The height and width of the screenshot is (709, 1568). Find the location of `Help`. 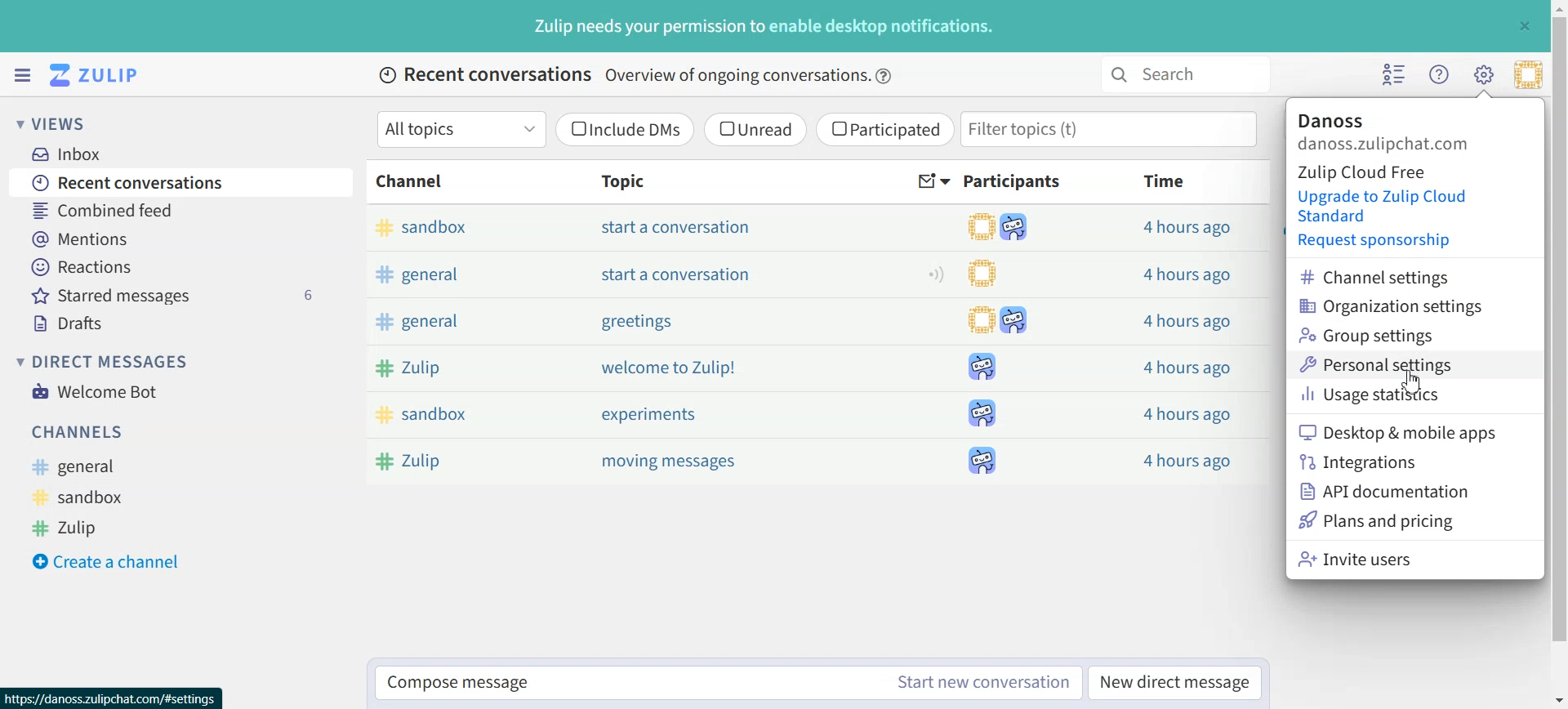

Help is located at coordinates (885, 76).